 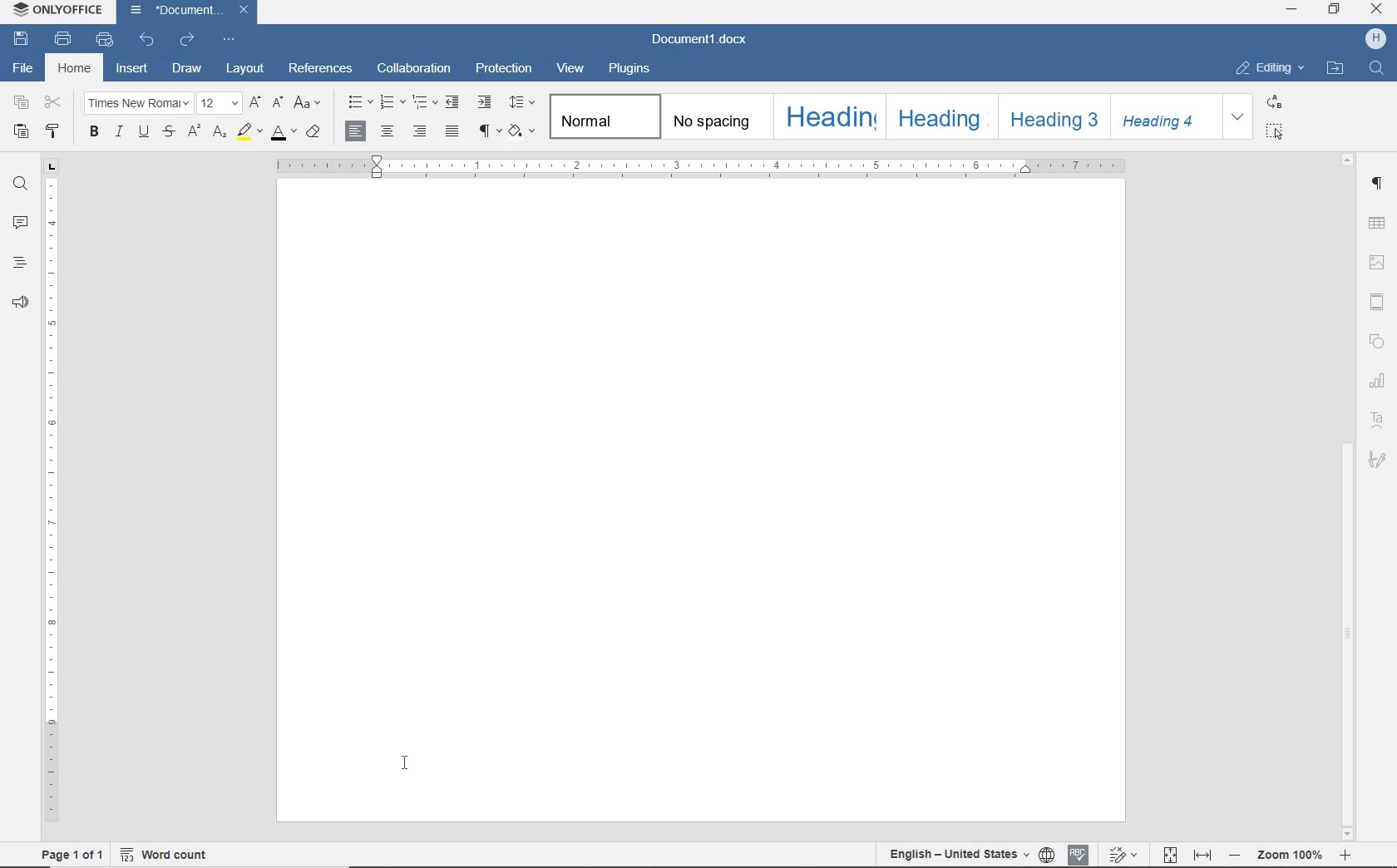 I want to click on document name, so click(x=701, y=39).